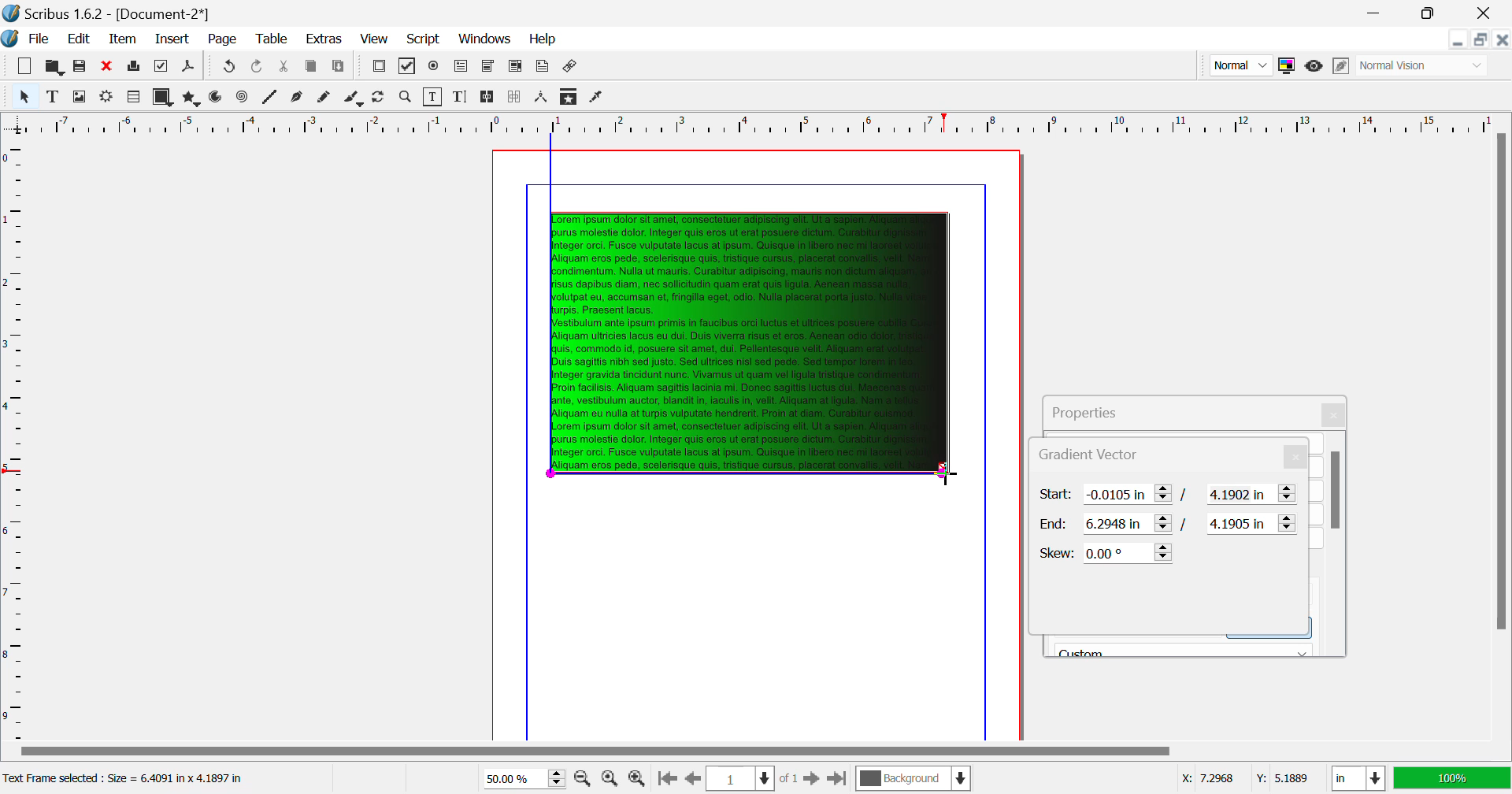 The width and height of the screenshot is (1512, 794). What do you see at coordinates (544, 39) in the screenshot?
I see `Help` at bounding box center [544, 39].